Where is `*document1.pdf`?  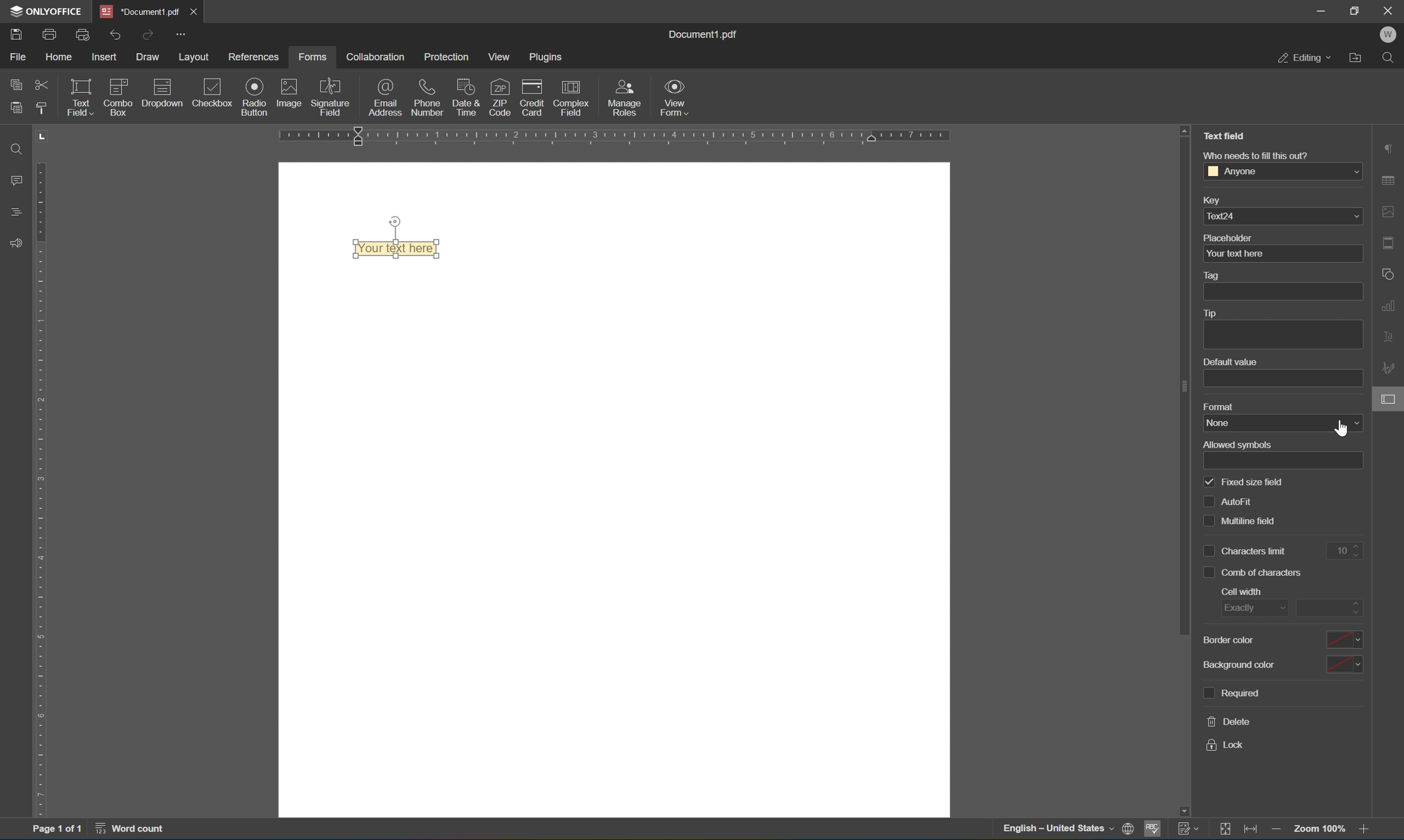
*document1.pdf is located at coordinates (140, 11).